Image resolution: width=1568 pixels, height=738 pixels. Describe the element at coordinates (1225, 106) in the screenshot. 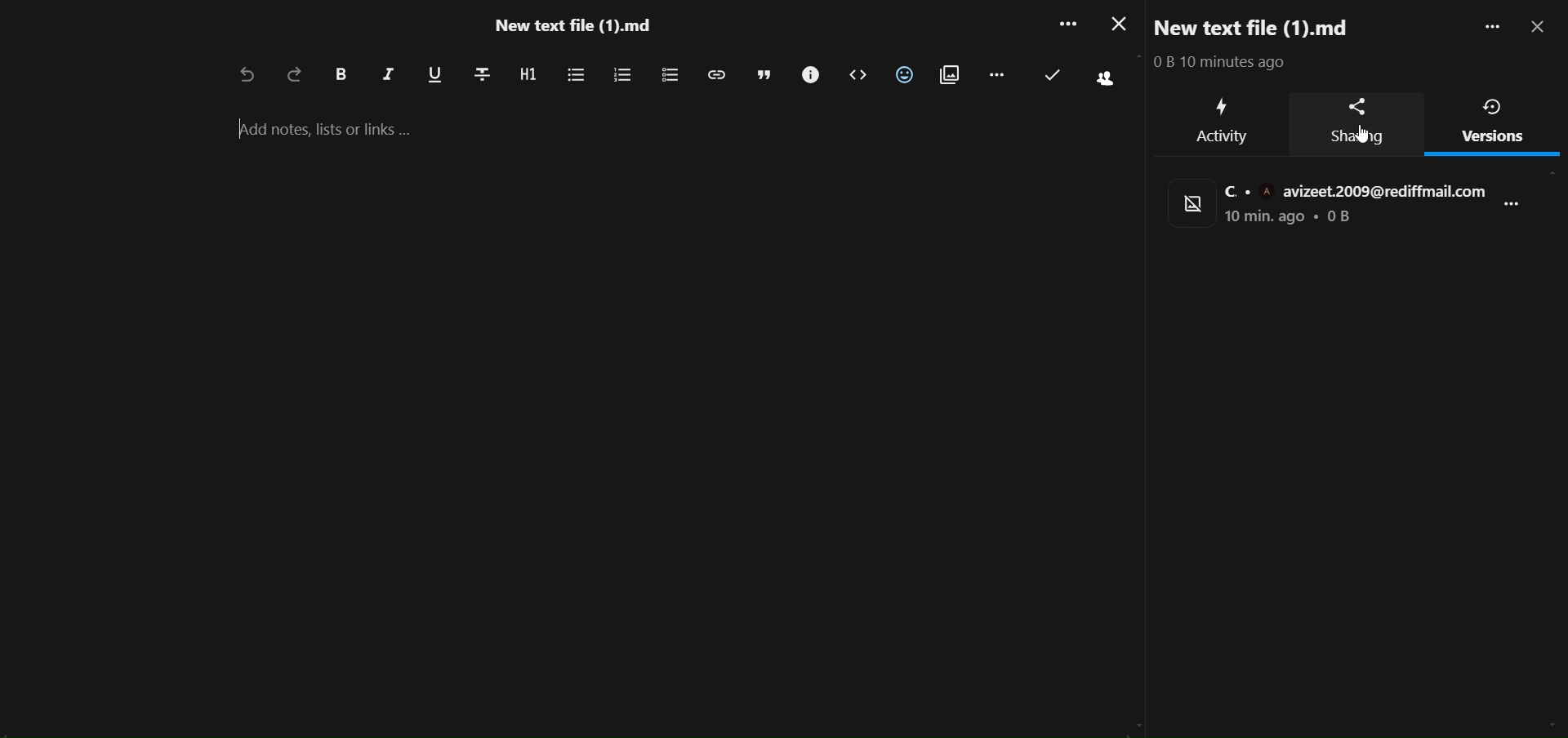

I see `activity icon` at that location.